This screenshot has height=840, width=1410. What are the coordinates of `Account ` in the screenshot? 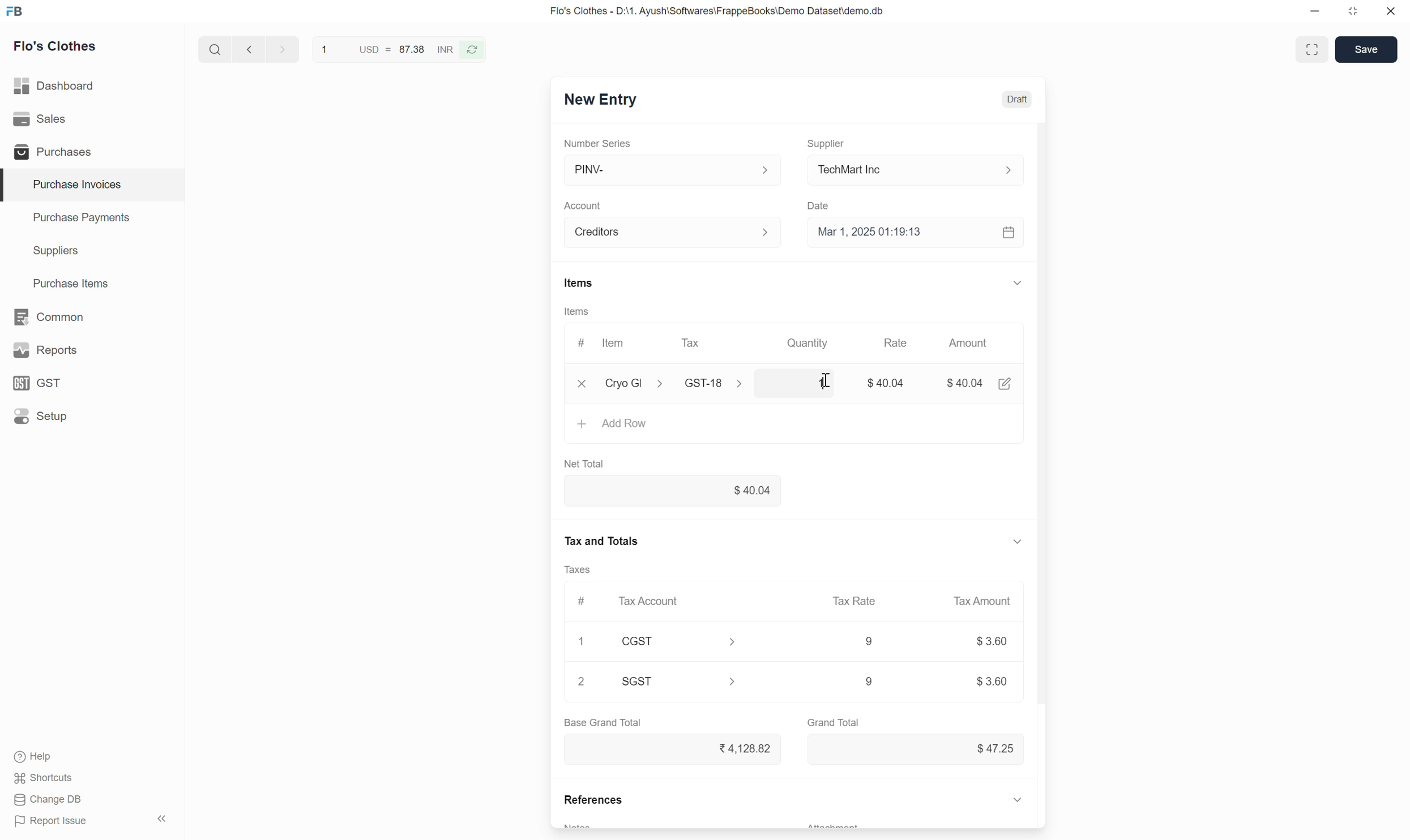 It's located at (675, 230).